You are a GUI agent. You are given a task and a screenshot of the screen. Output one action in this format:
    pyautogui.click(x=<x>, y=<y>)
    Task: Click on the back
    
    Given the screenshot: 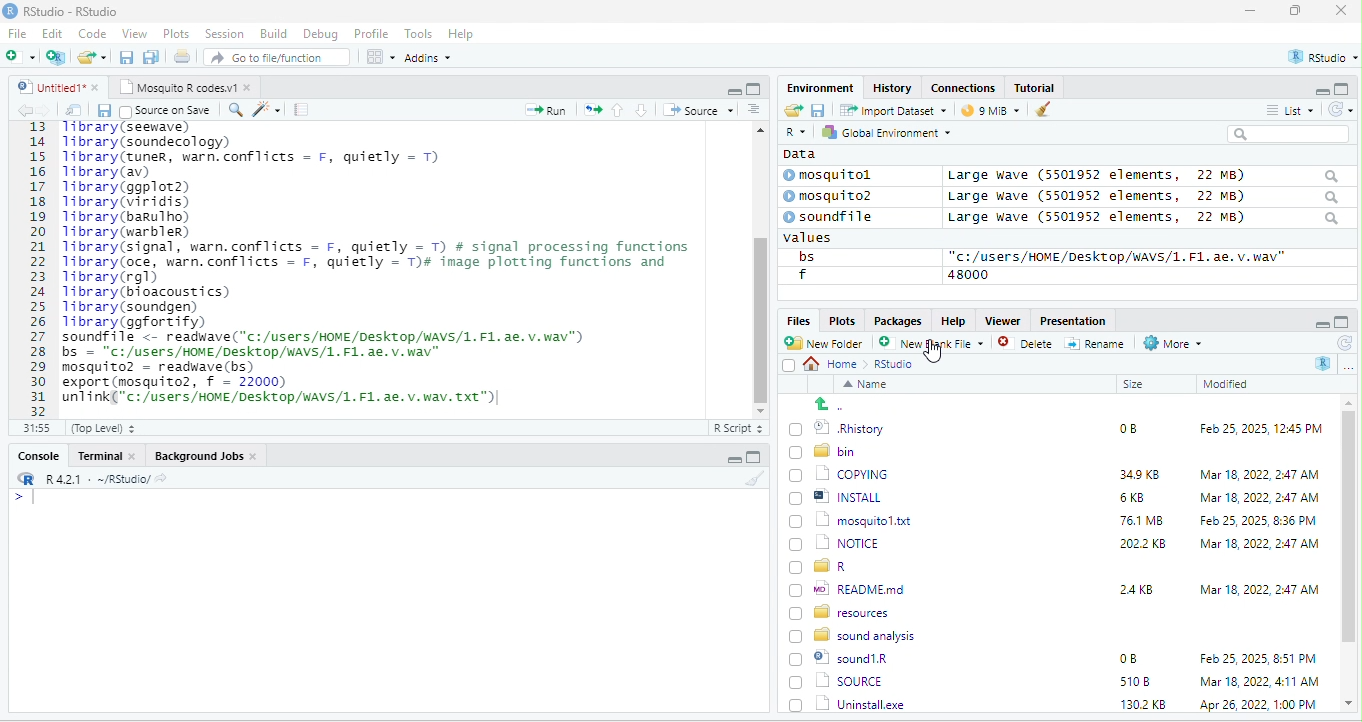 What is the action you would take?
    pyautogui.click(x=28, y=111)
    